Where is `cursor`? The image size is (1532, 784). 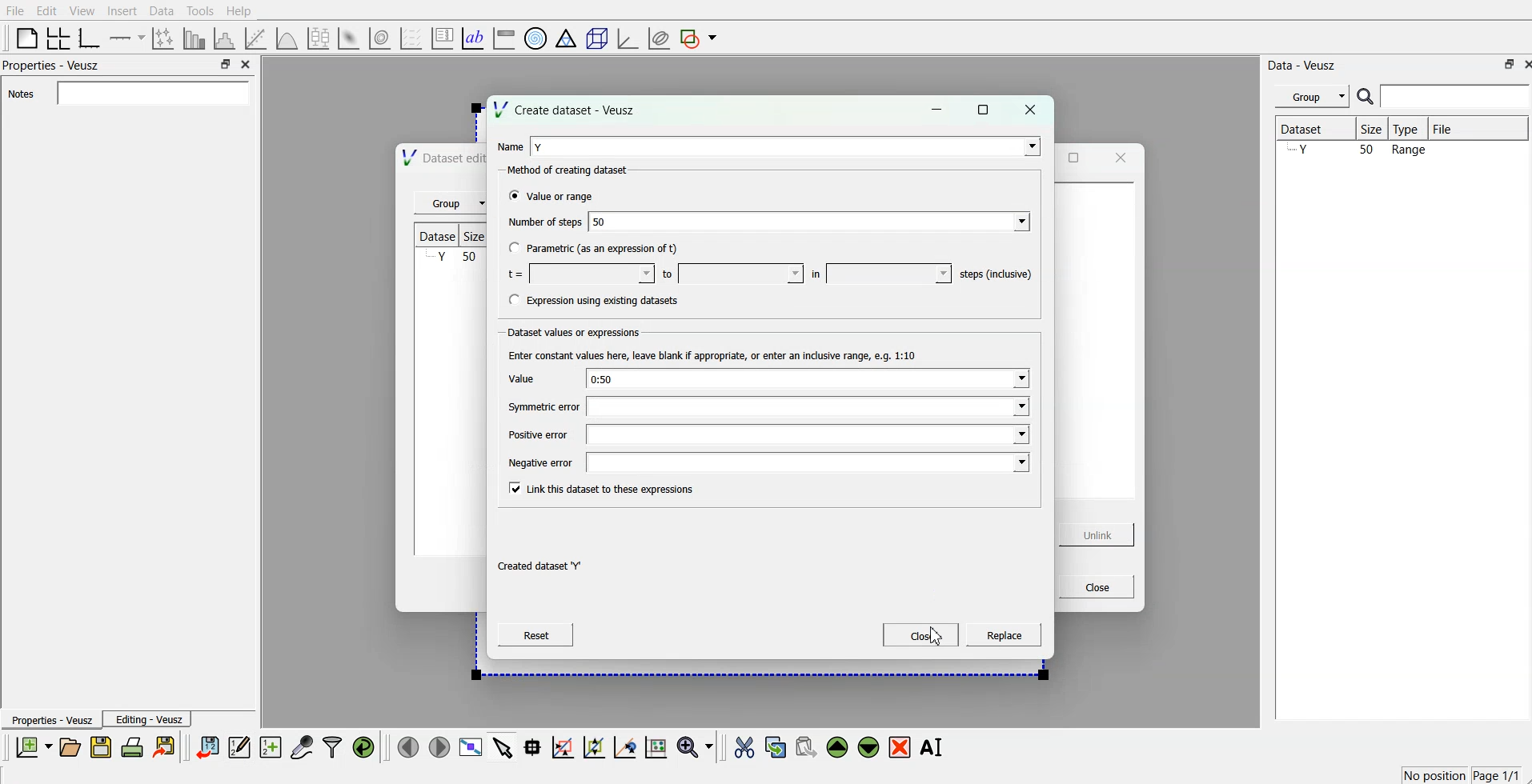
cursor is located at coordinates (938, 640).